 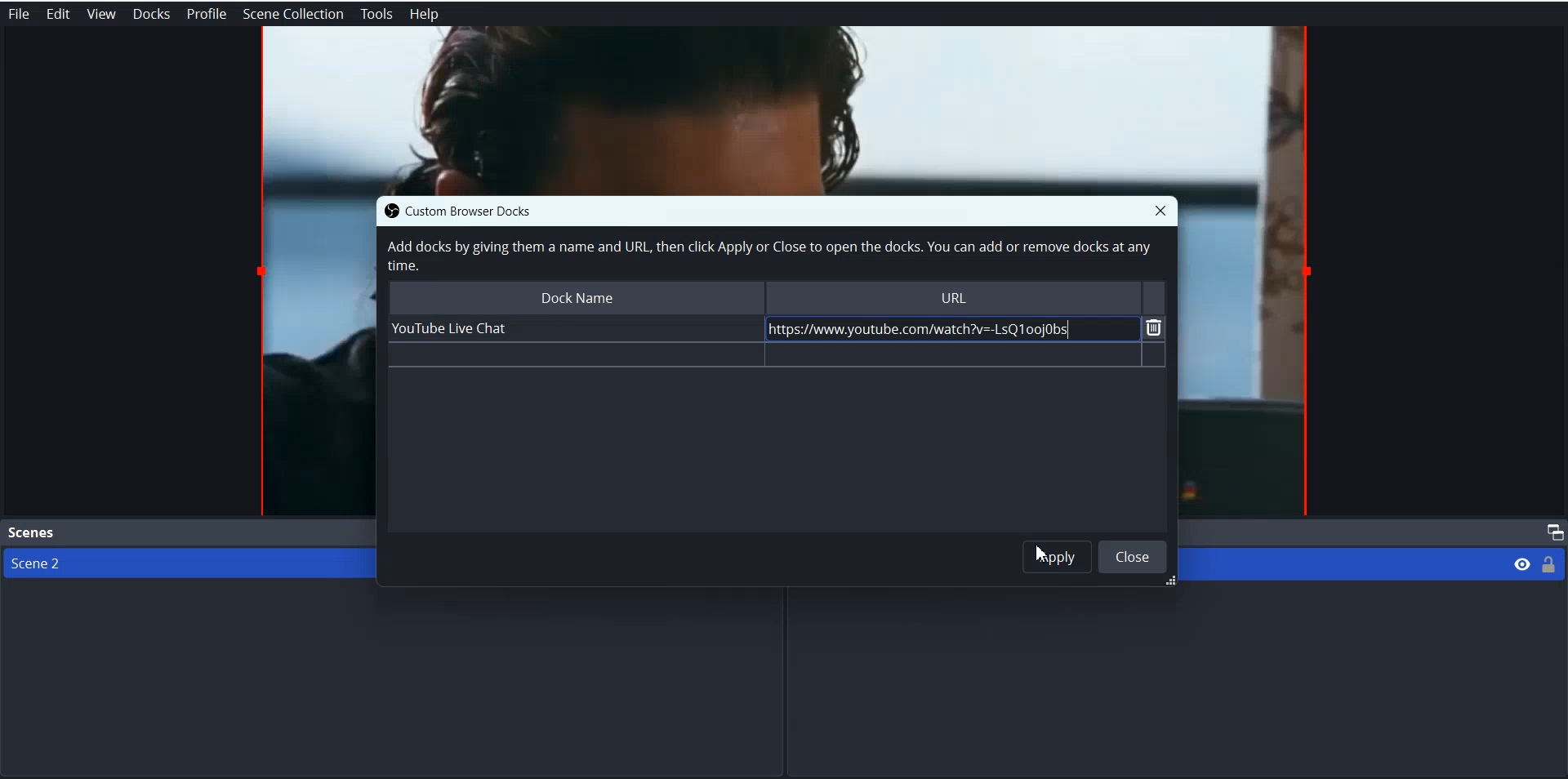 What do you see at coordinates (944, 328) in the screenshot?
I see `https://www.youtube.com/watch?v=-sQ100j0bs]|` at bounding box center [944, 328].